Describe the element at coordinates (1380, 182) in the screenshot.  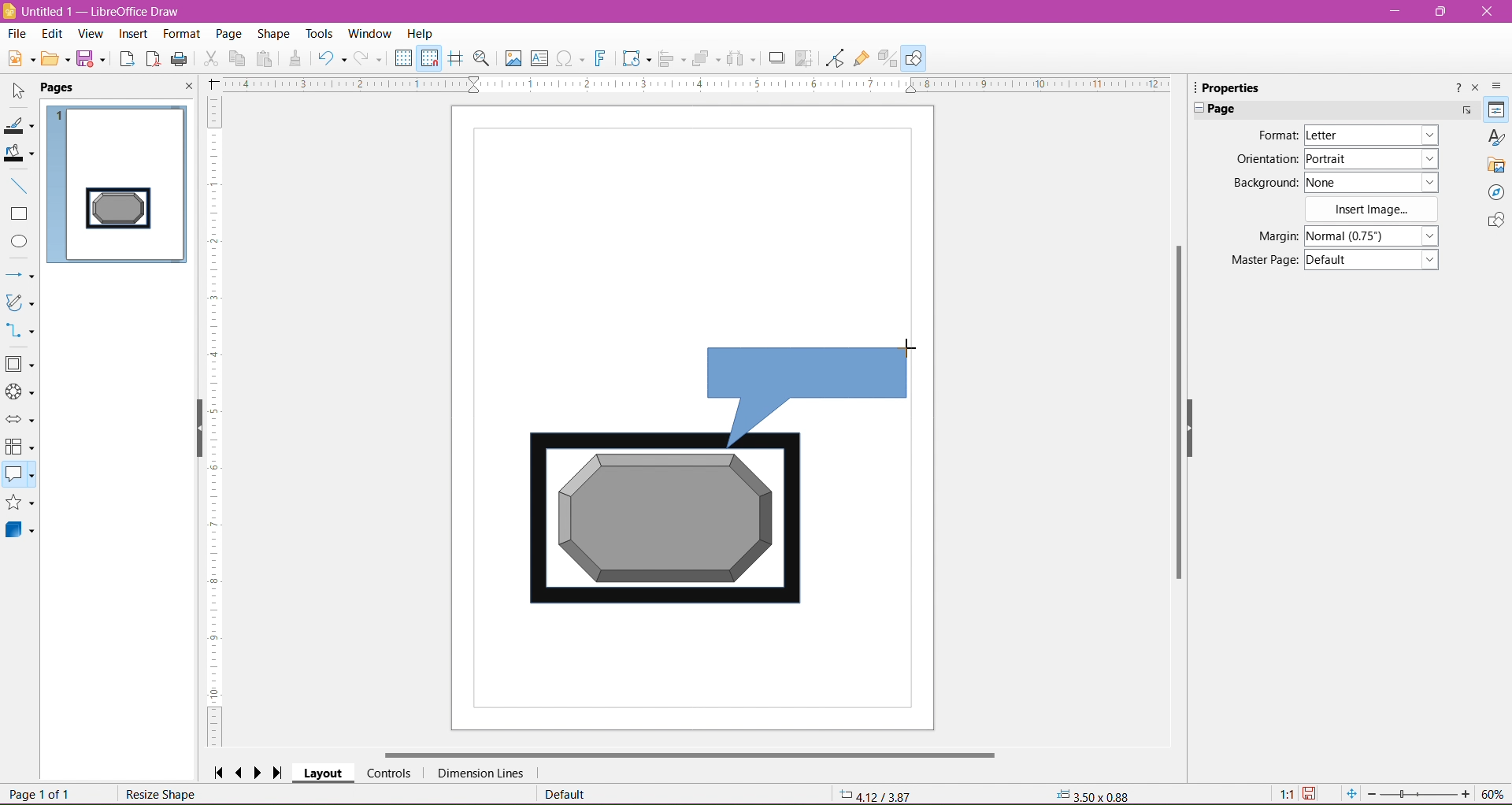
I see `Select background` at that location.